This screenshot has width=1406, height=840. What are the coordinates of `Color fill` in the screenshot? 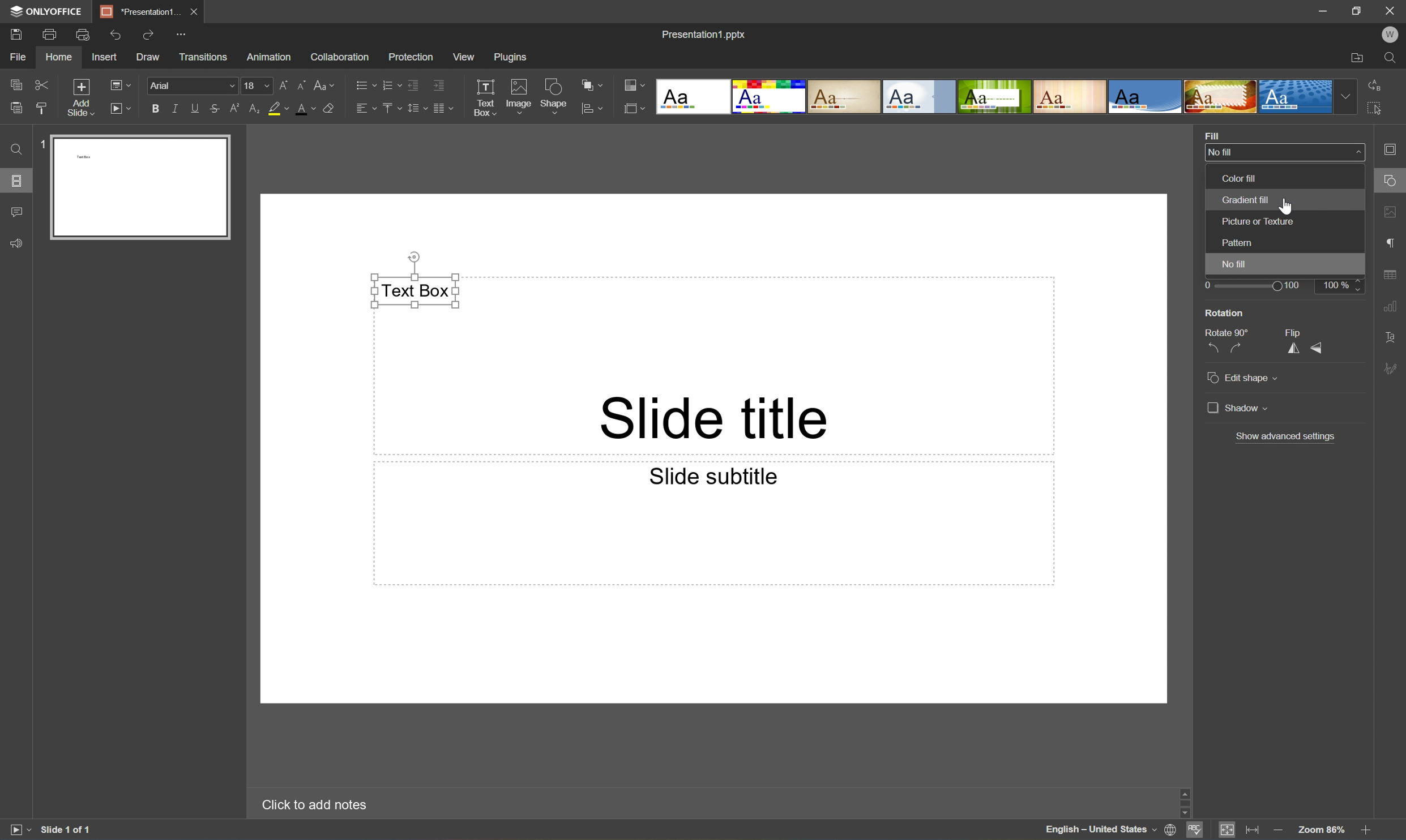 It's located at (1240, 178).